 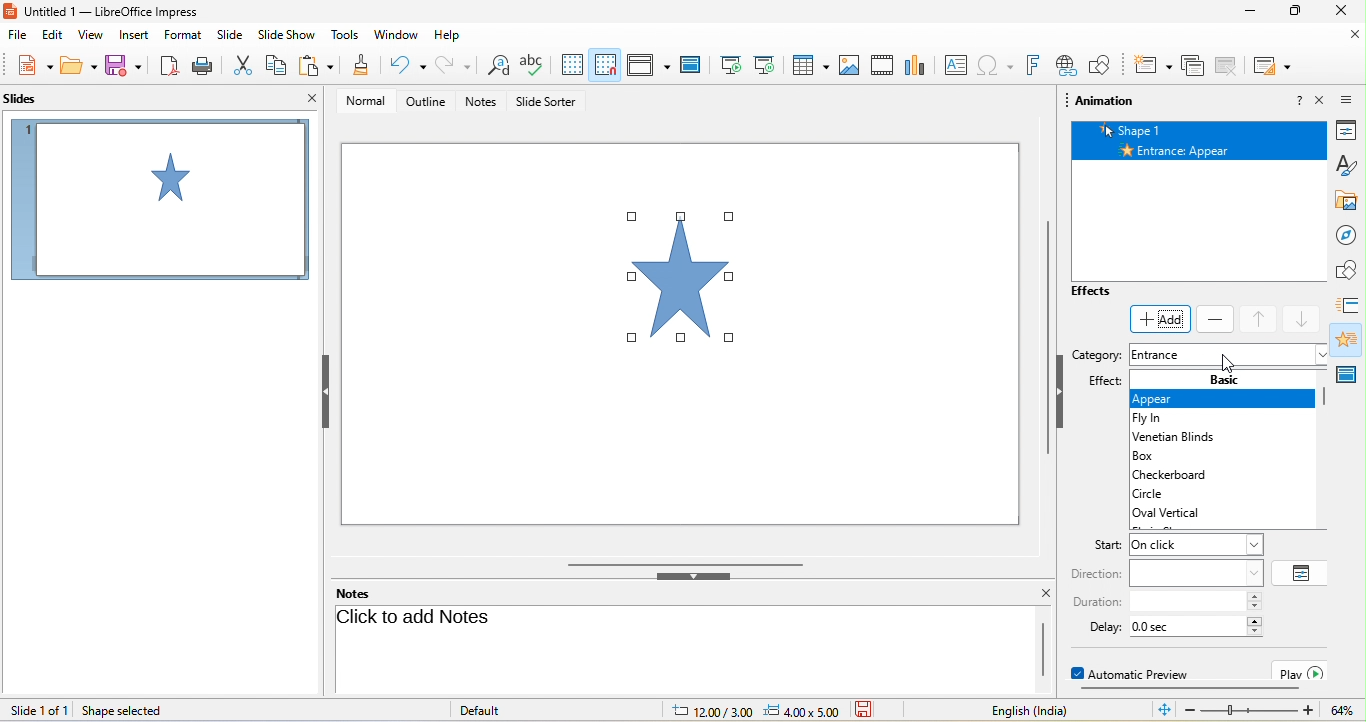 I want to click on default, so click(x=482, y=710).